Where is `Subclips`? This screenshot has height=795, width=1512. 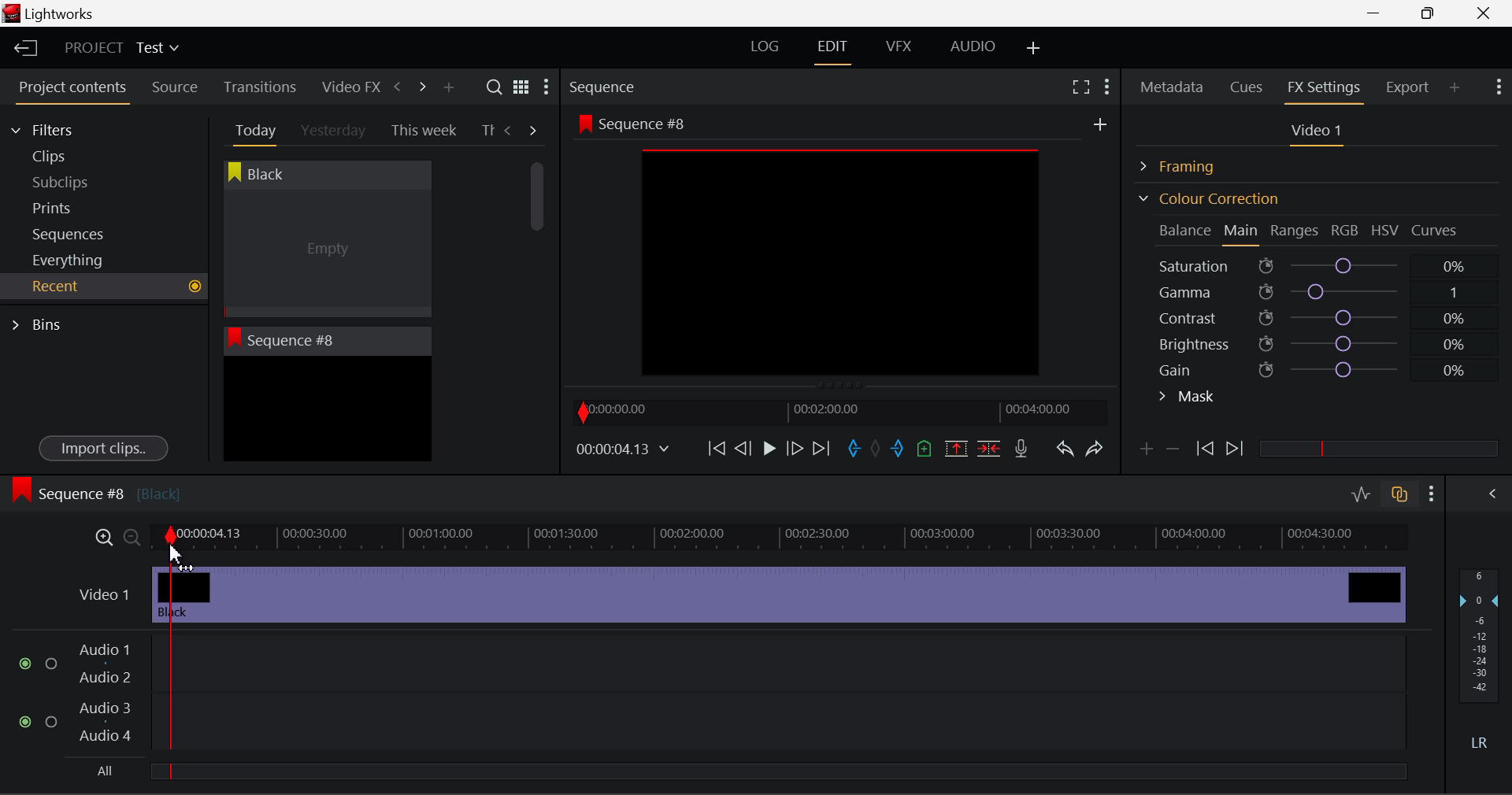 Subclips is located at coordinates (76, 182).